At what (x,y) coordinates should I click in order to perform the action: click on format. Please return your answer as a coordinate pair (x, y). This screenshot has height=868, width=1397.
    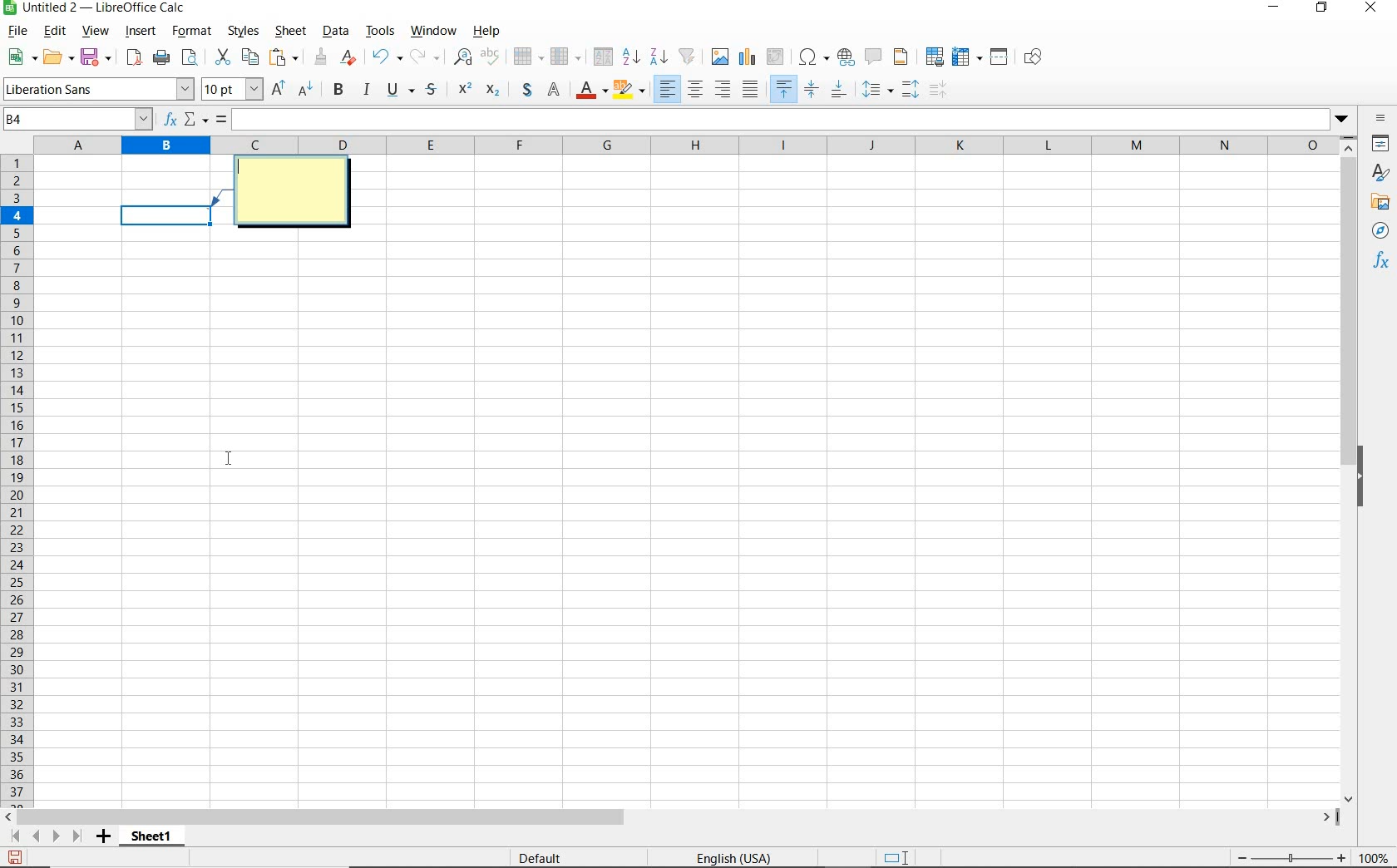
    Looking at the image, I should click on (193, 32).